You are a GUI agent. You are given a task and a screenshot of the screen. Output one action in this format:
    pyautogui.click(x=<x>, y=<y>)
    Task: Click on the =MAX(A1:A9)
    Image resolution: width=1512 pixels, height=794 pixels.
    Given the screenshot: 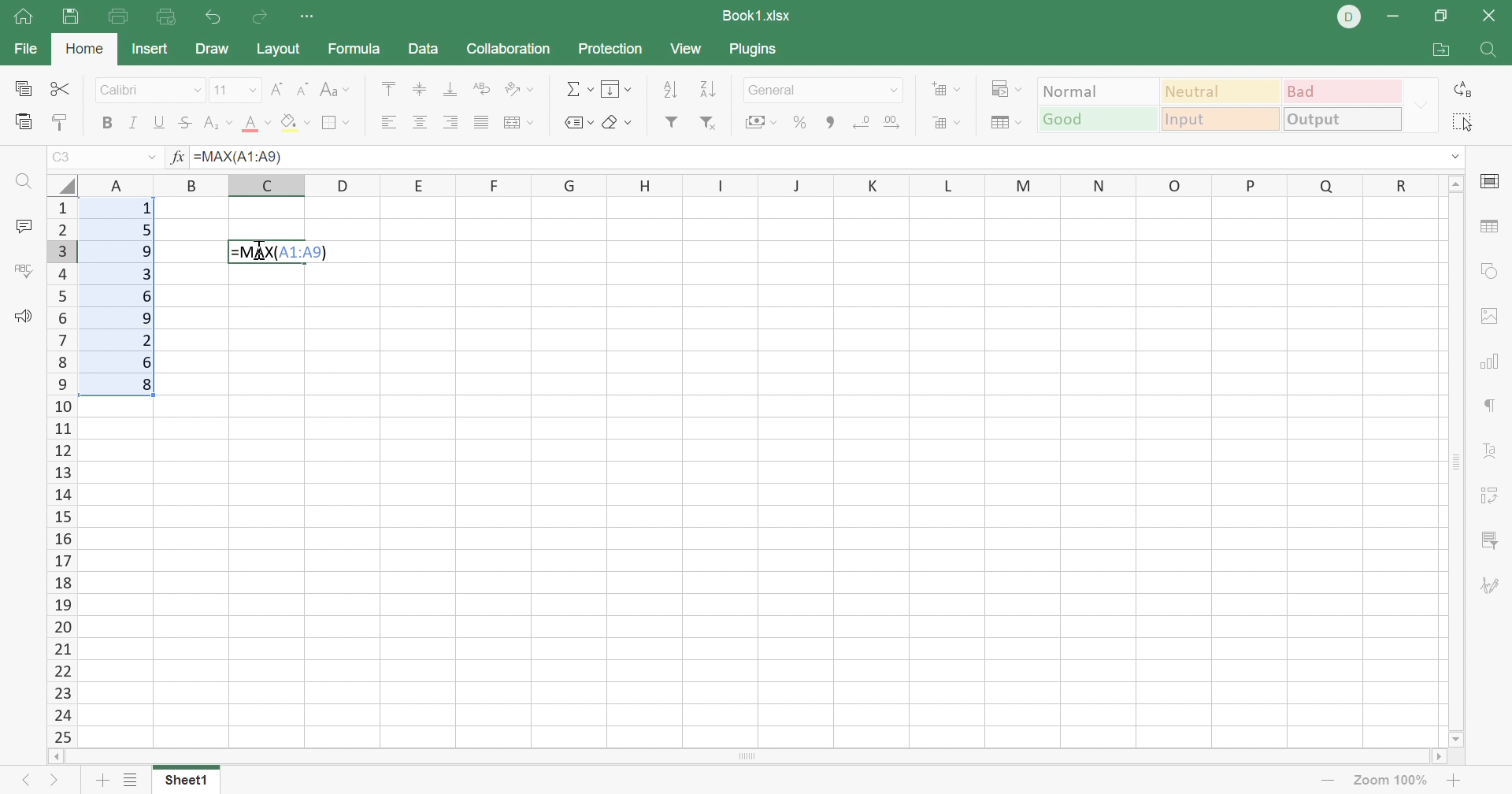 What is the action you would take?
    pyautogui.click(x=240, y=156)
    